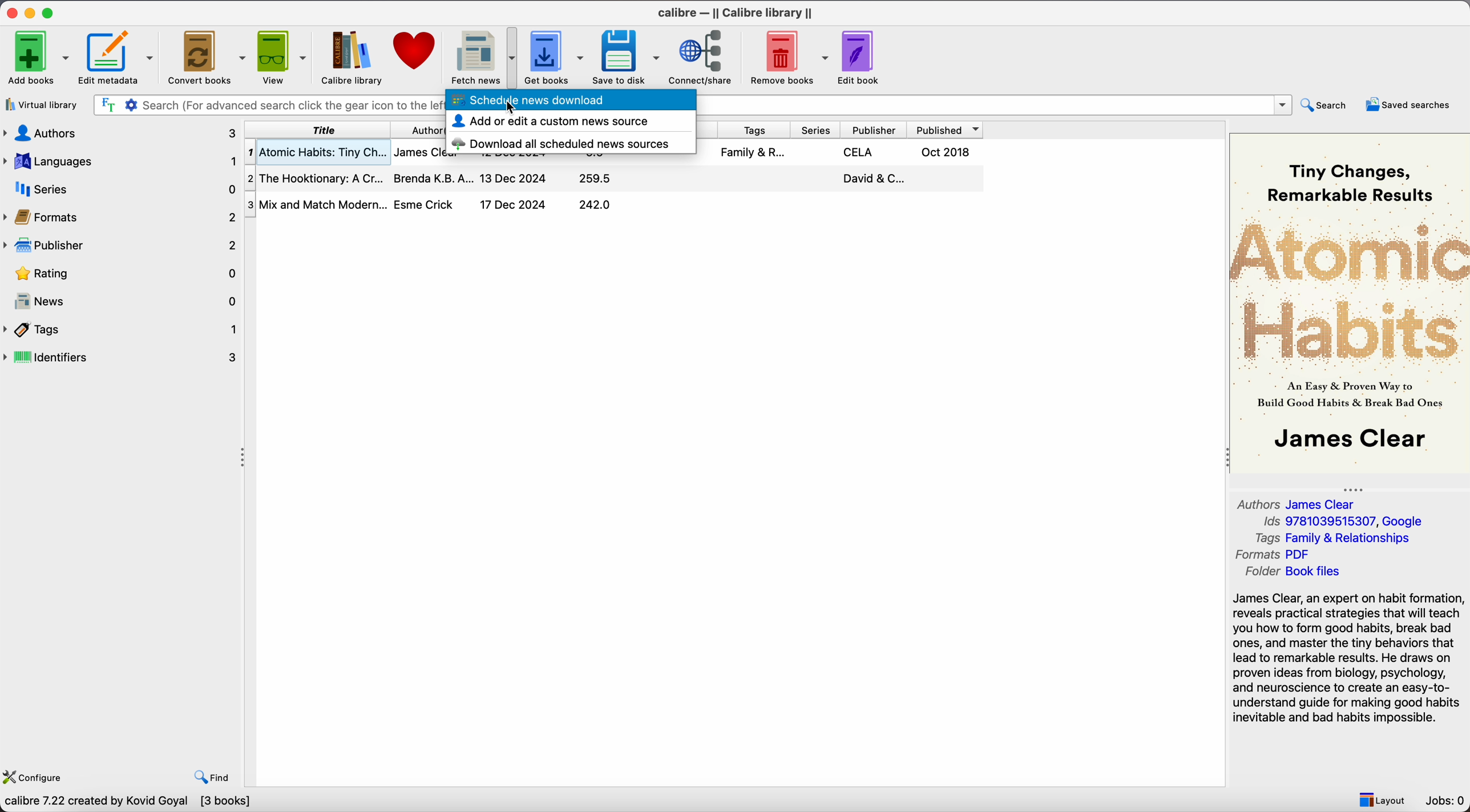 The image size is (1470, 812). I want to click on download all scheduled news sources, so click(564, 142).